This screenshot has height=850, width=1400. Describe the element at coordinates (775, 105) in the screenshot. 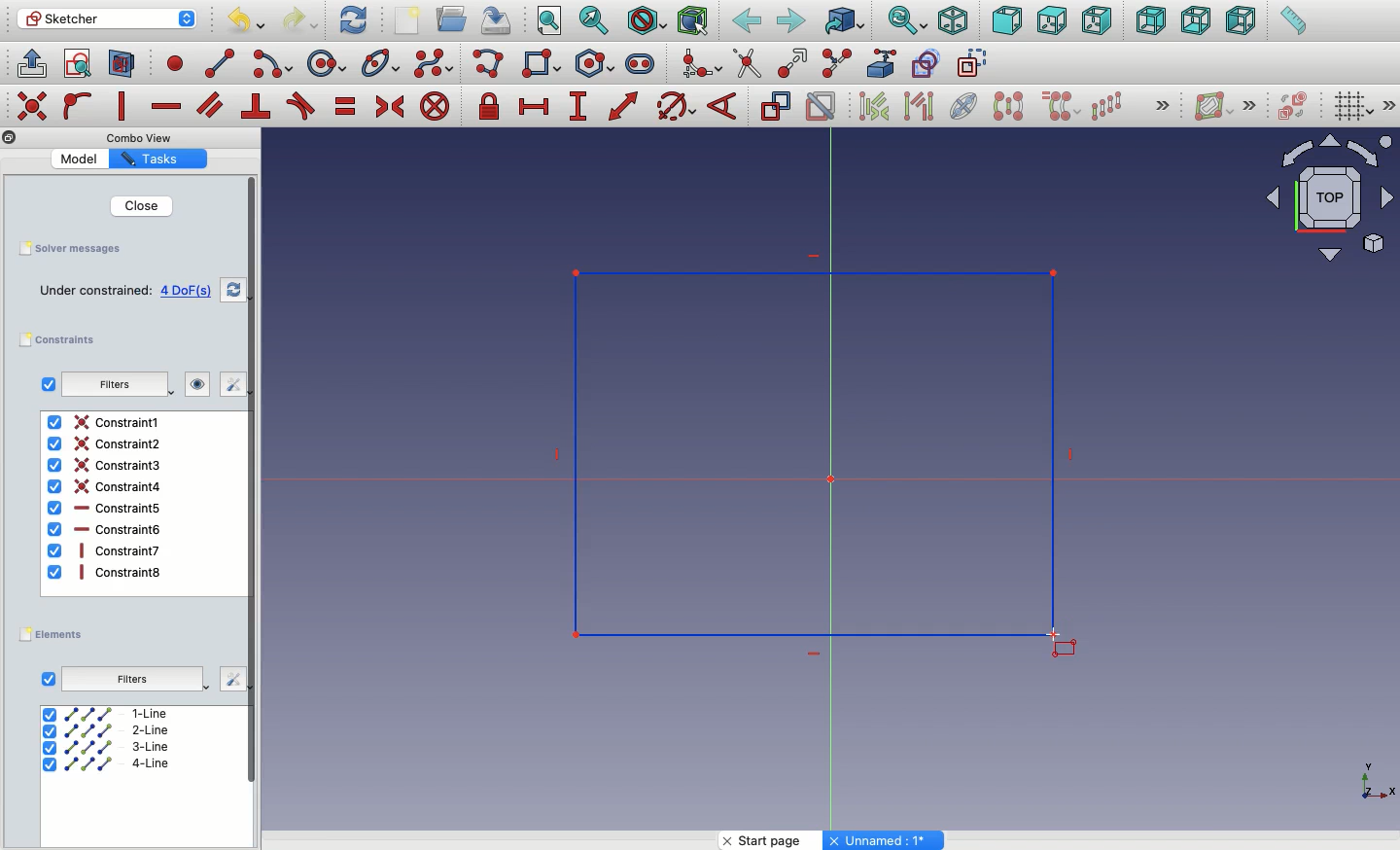

I see `Toggle reference constraint` at that location.